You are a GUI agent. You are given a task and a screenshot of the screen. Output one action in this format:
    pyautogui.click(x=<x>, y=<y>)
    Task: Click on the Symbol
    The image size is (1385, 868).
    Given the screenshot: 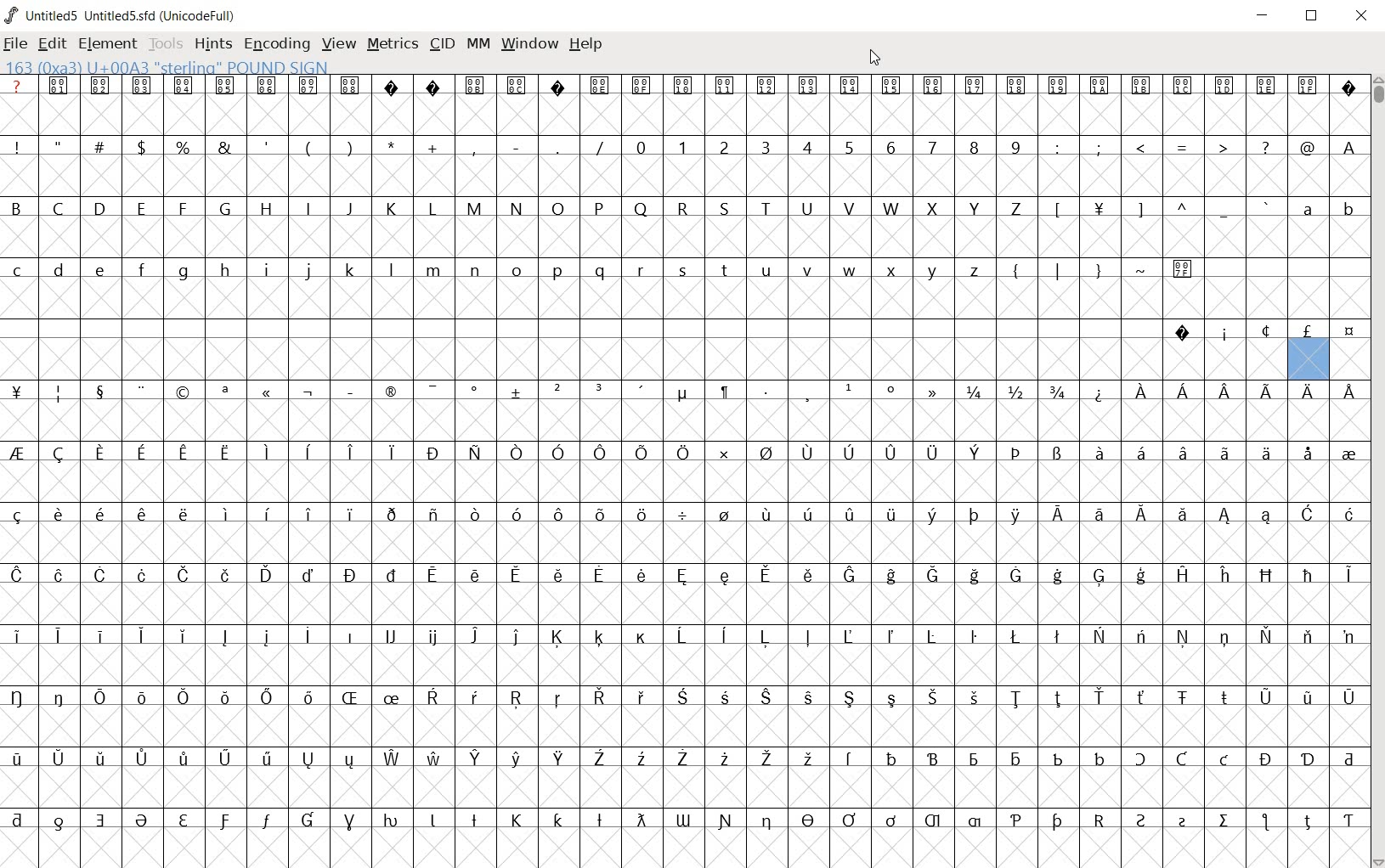 What is the action you would take?
    pyautogui.click(x=723, y=515)
    